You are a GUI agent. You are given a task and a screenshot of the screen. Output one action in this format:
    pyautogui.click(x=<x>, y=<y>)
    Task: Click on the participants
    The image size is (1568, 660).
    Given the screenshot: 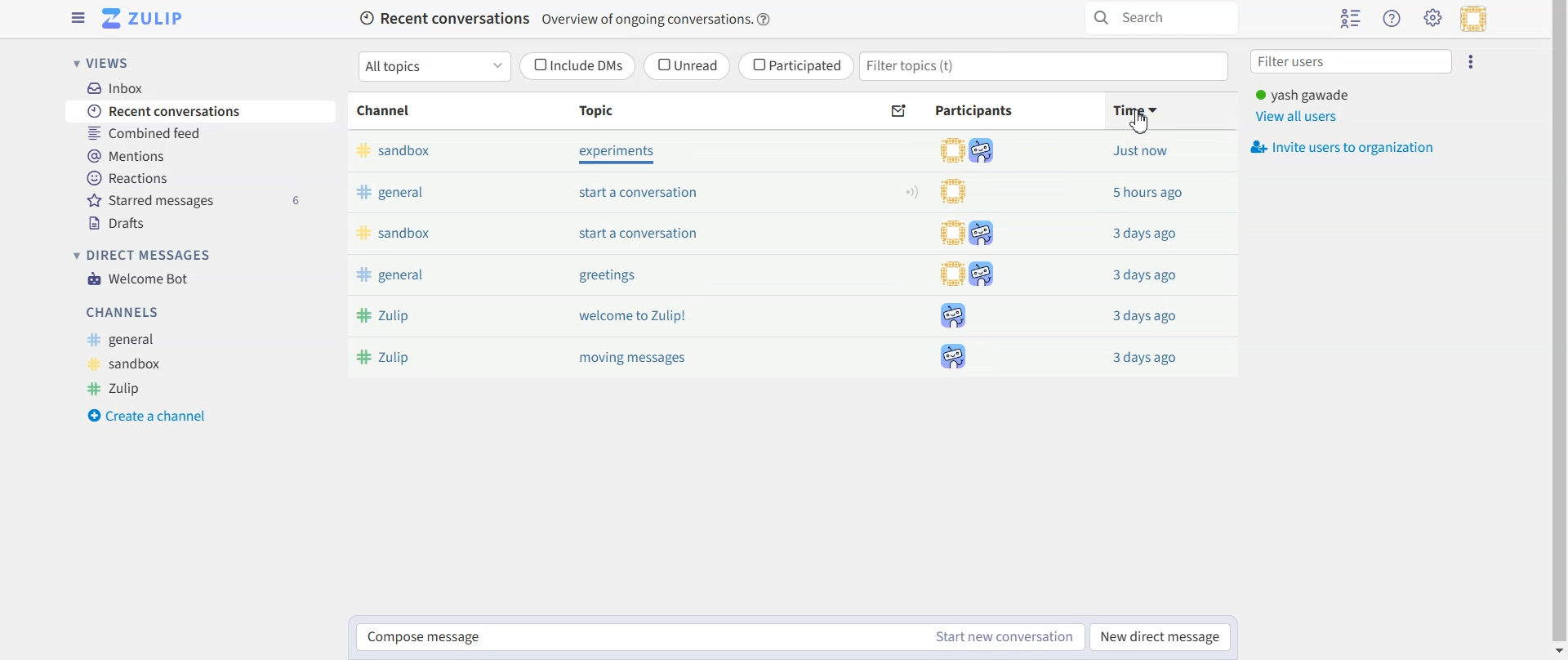 What is the action you would take?
    pyautogui.click(x=966, y=356)
    